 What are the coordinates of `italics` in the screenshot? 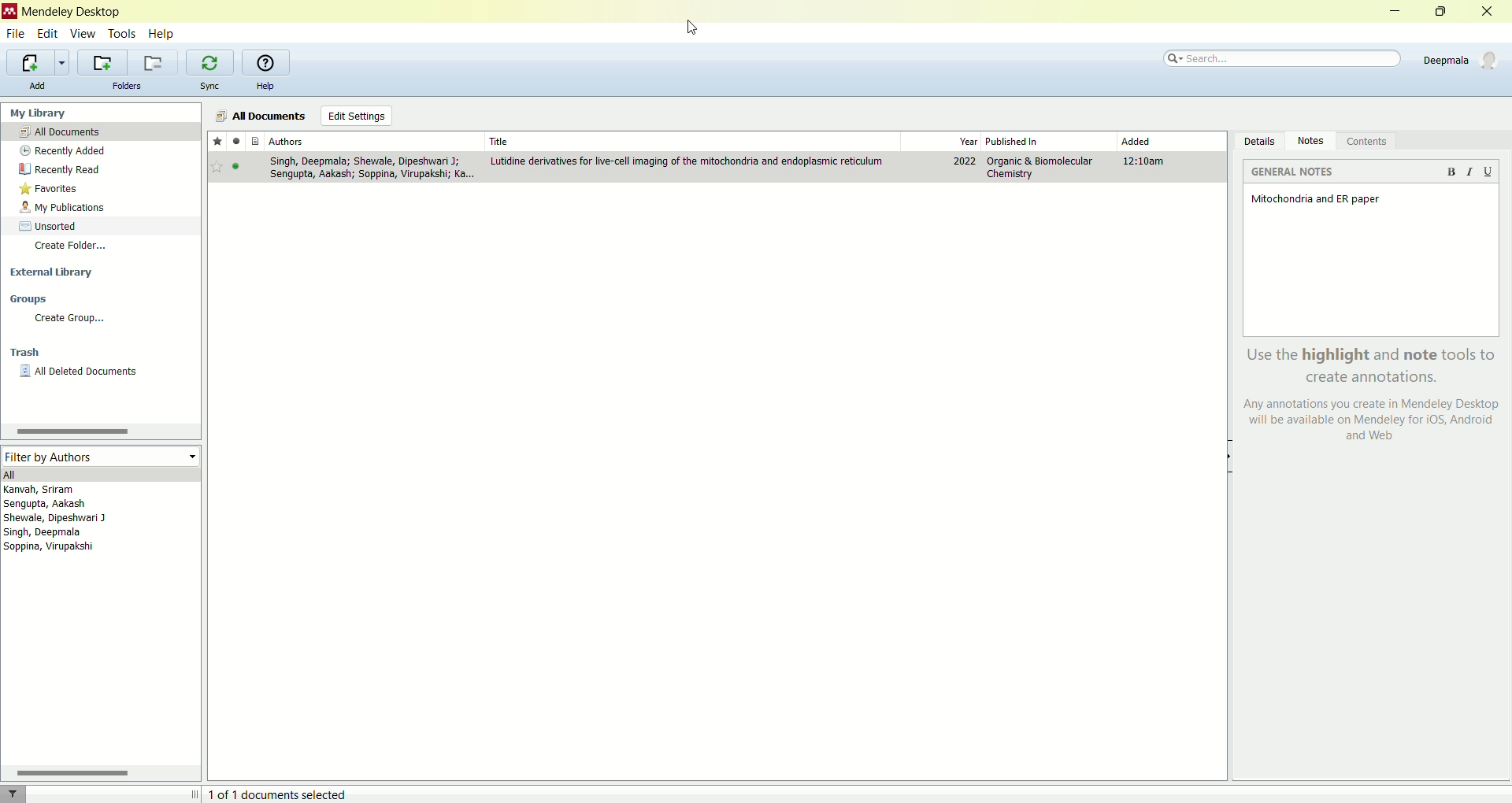 It's located at (1473, 173).